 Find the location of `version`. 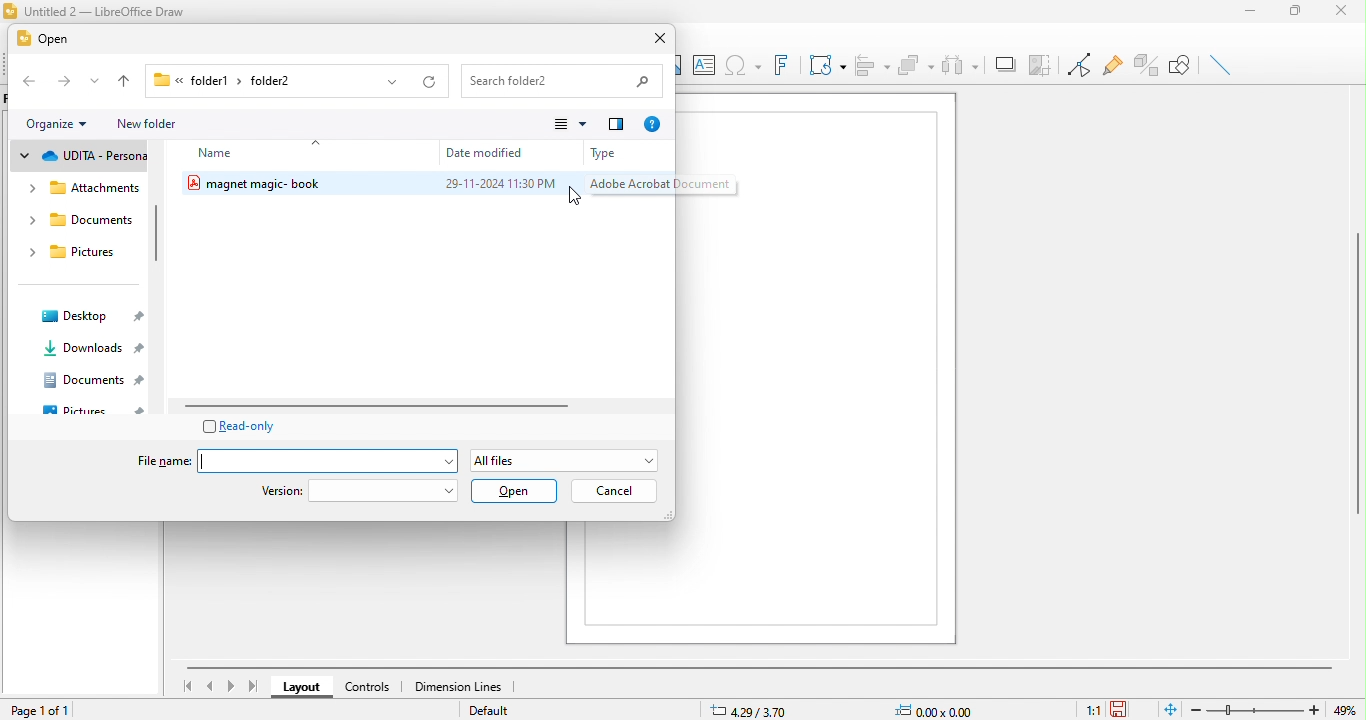

version is located at coordinates (360, 491).